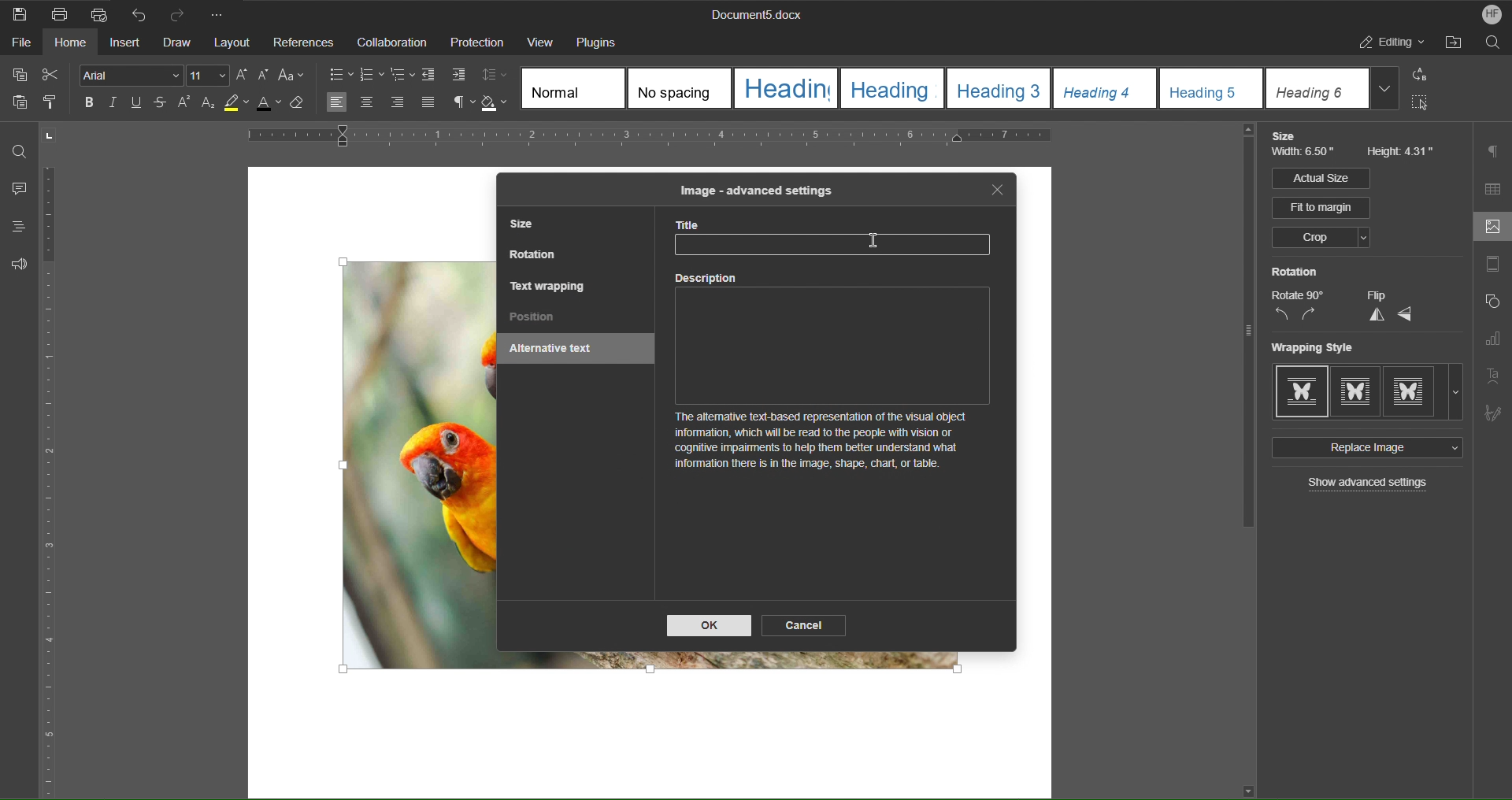 The width and height of the screenshot is (1512, 800). What do you see at coordinates (1402, 153) in the screenshot?
I see `Height` at bounding box center [1402, 153].